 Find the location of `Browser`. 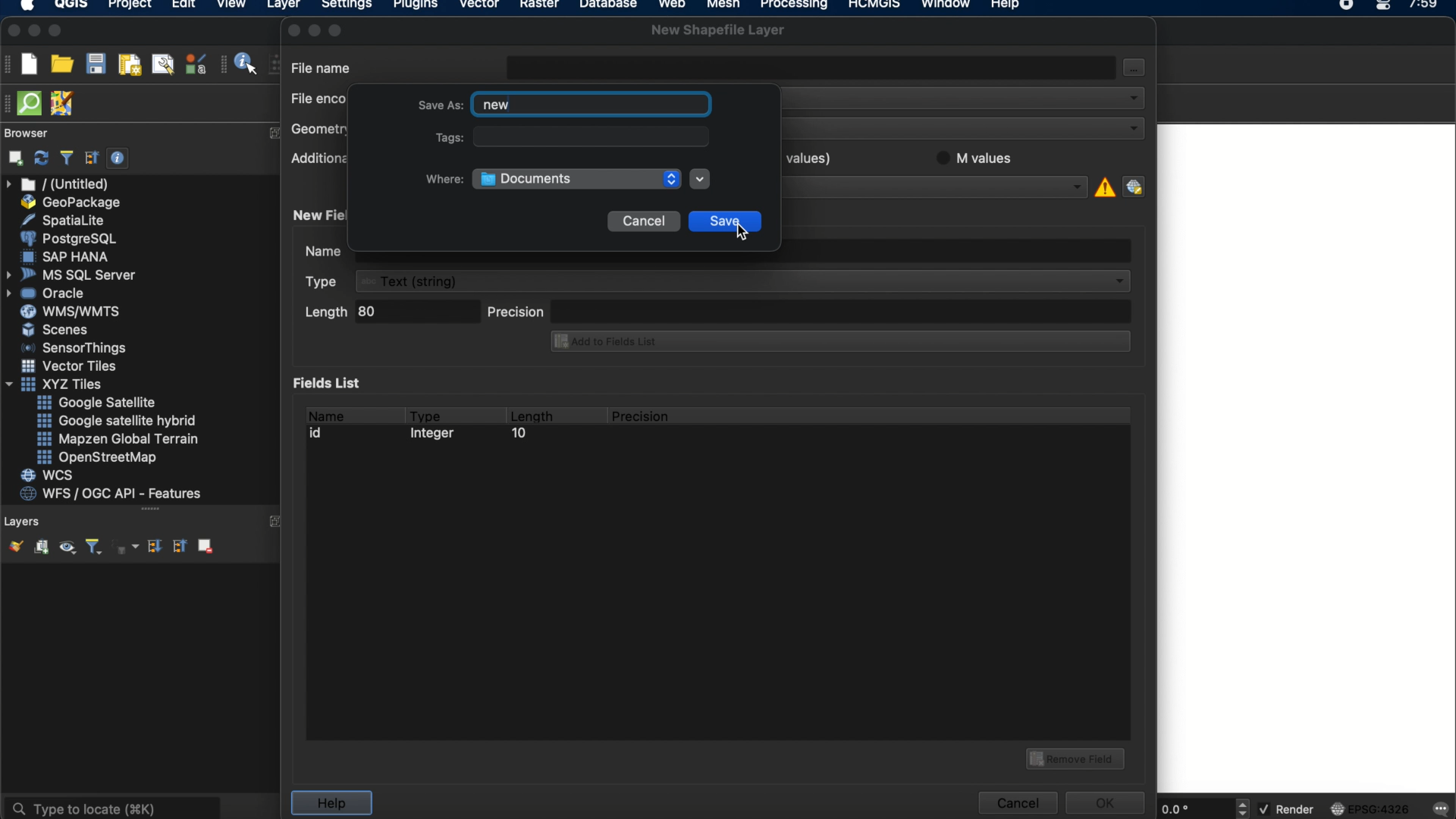

Browser is located at coordinates (36, 134).